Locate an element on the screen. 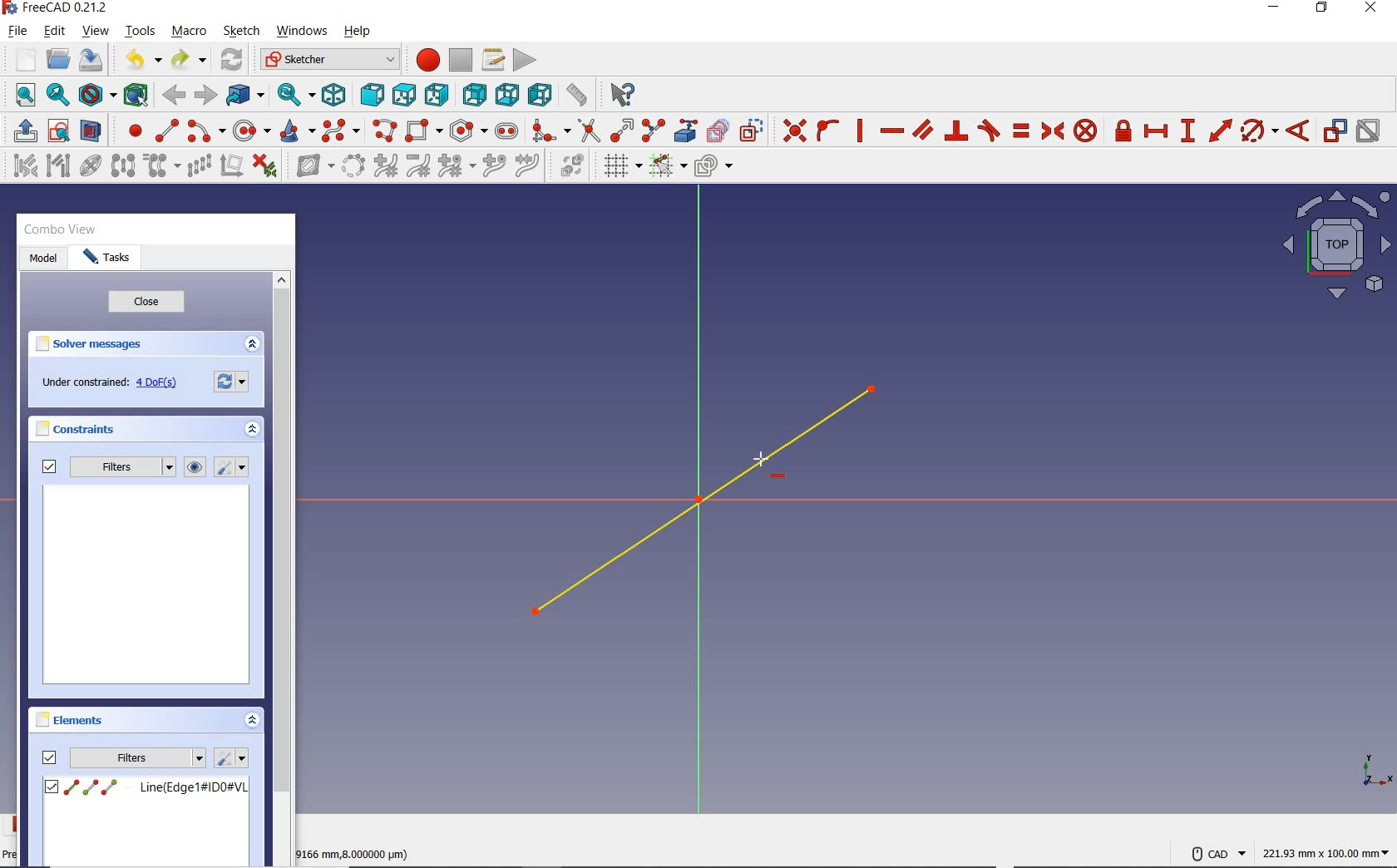 Image resolution: width=1397 pixels, height=868 pixels. UNDO is located at coordinates (141, 62).